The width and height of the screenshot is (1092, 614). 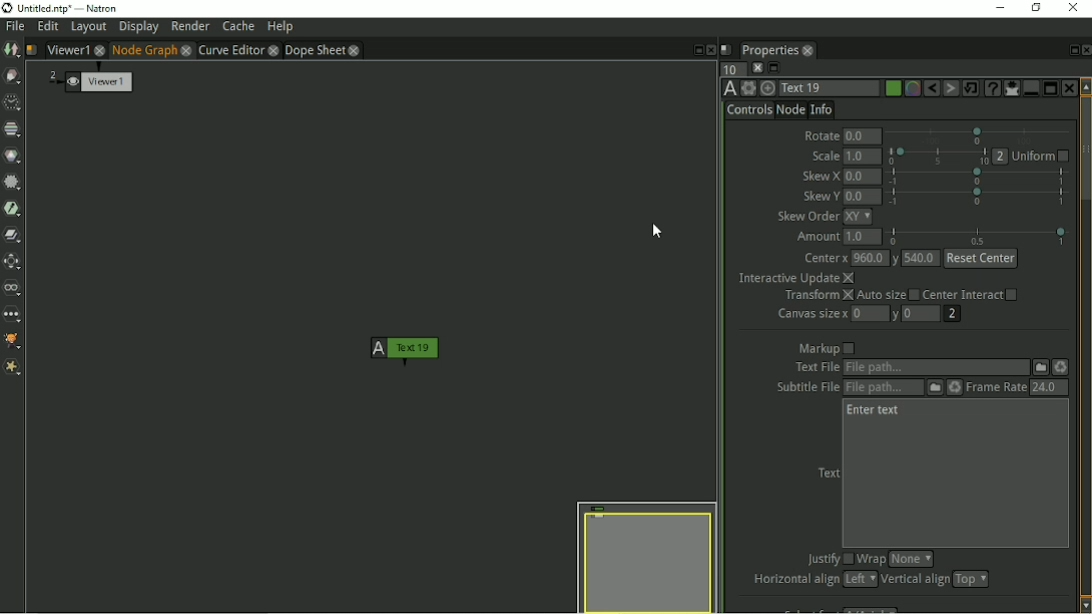 What do you see at coordinates (274, 50) in the screenshot?
I see `close` at bounding box center [274, 50].